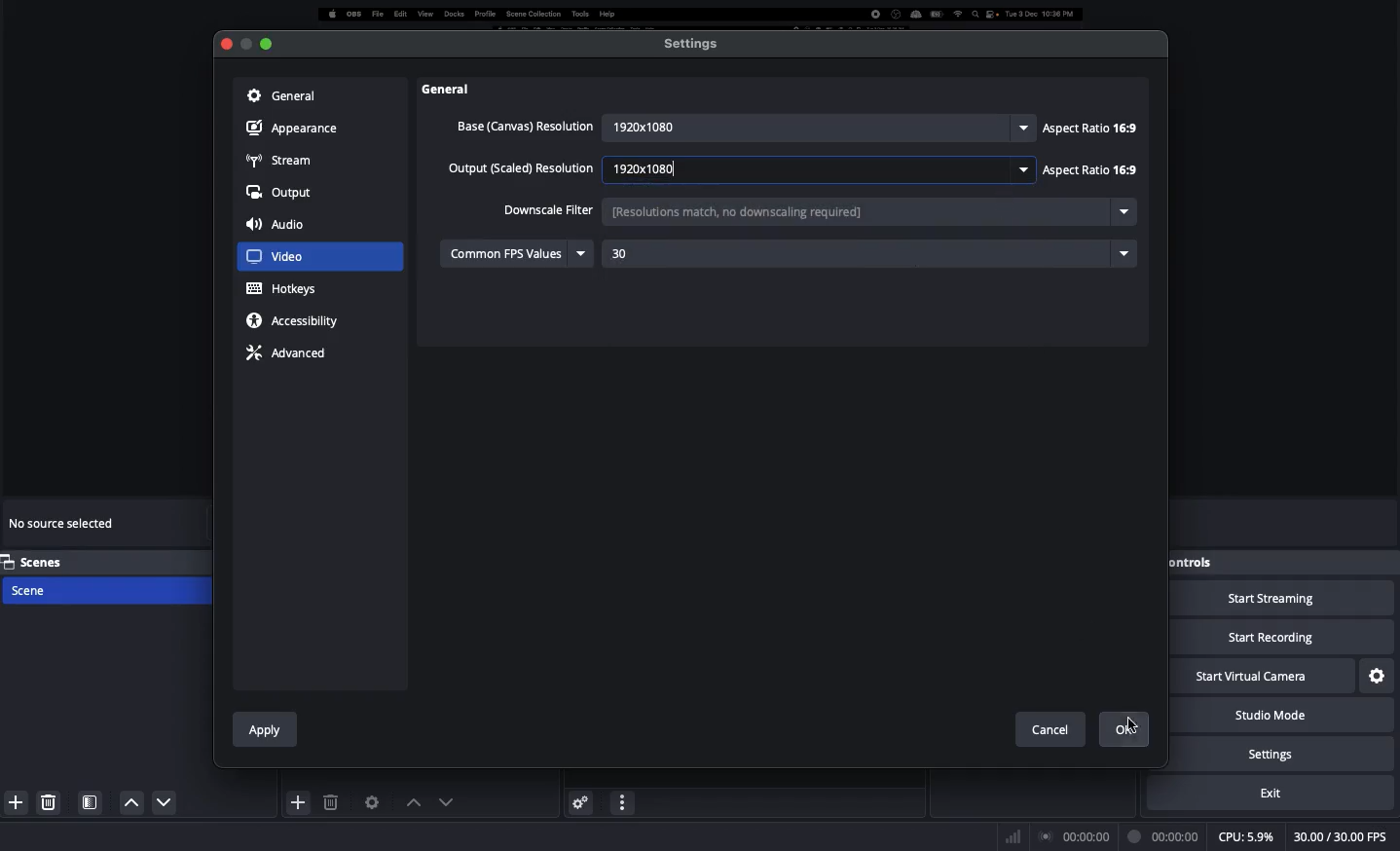 This screenshot has width=1400, height=851. I want to click on FPS, so click(1344, 837).